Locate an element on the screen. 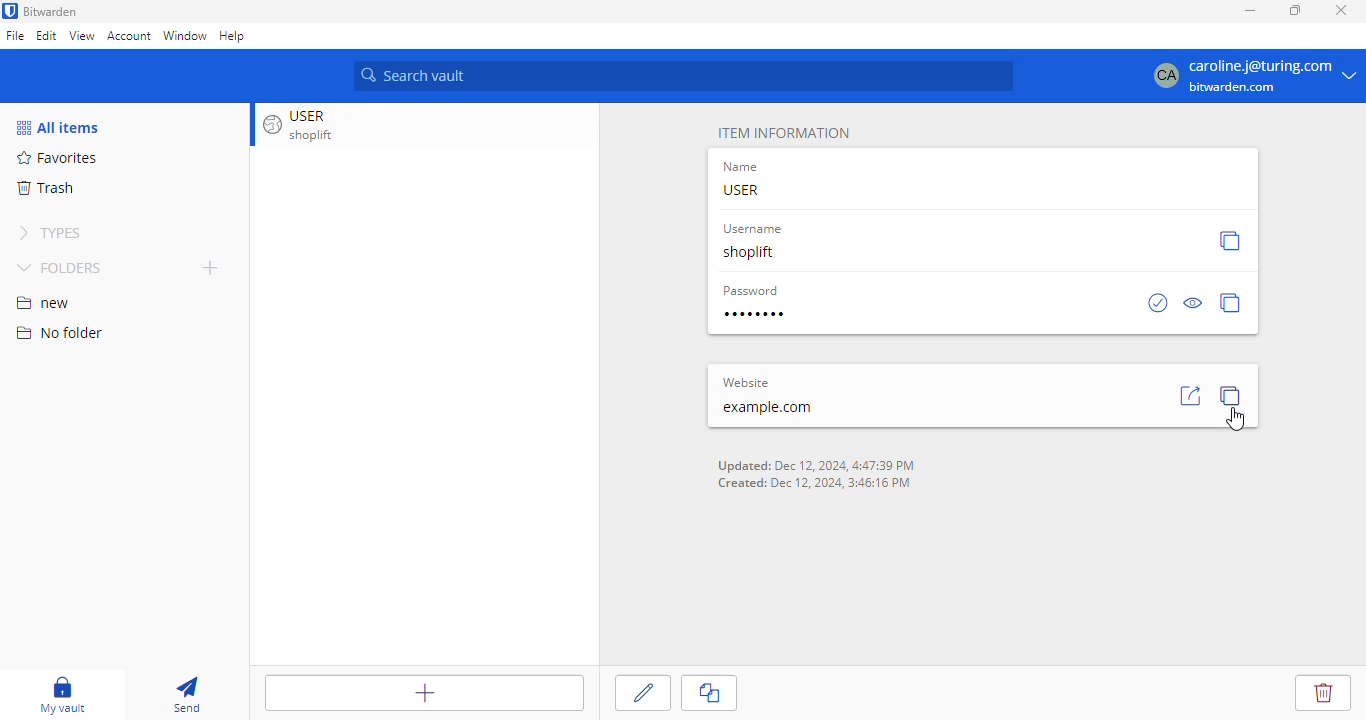 The height and width of the screenshot is (720, 1366). all items is located at coordinates (58, 127).